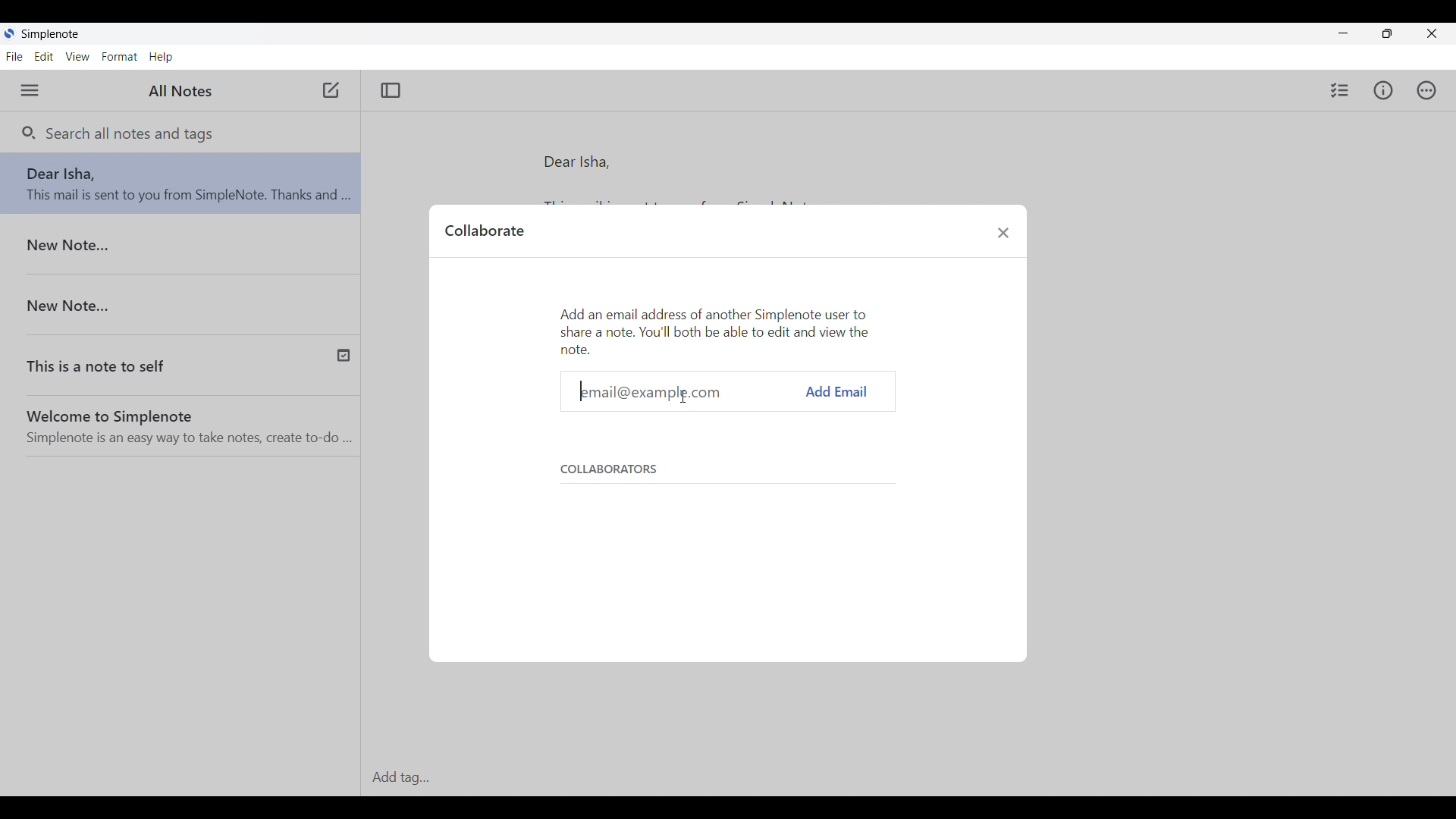  Describe the element at coordinates (29, 90) in the screenshot. I see `Menu` at that location.